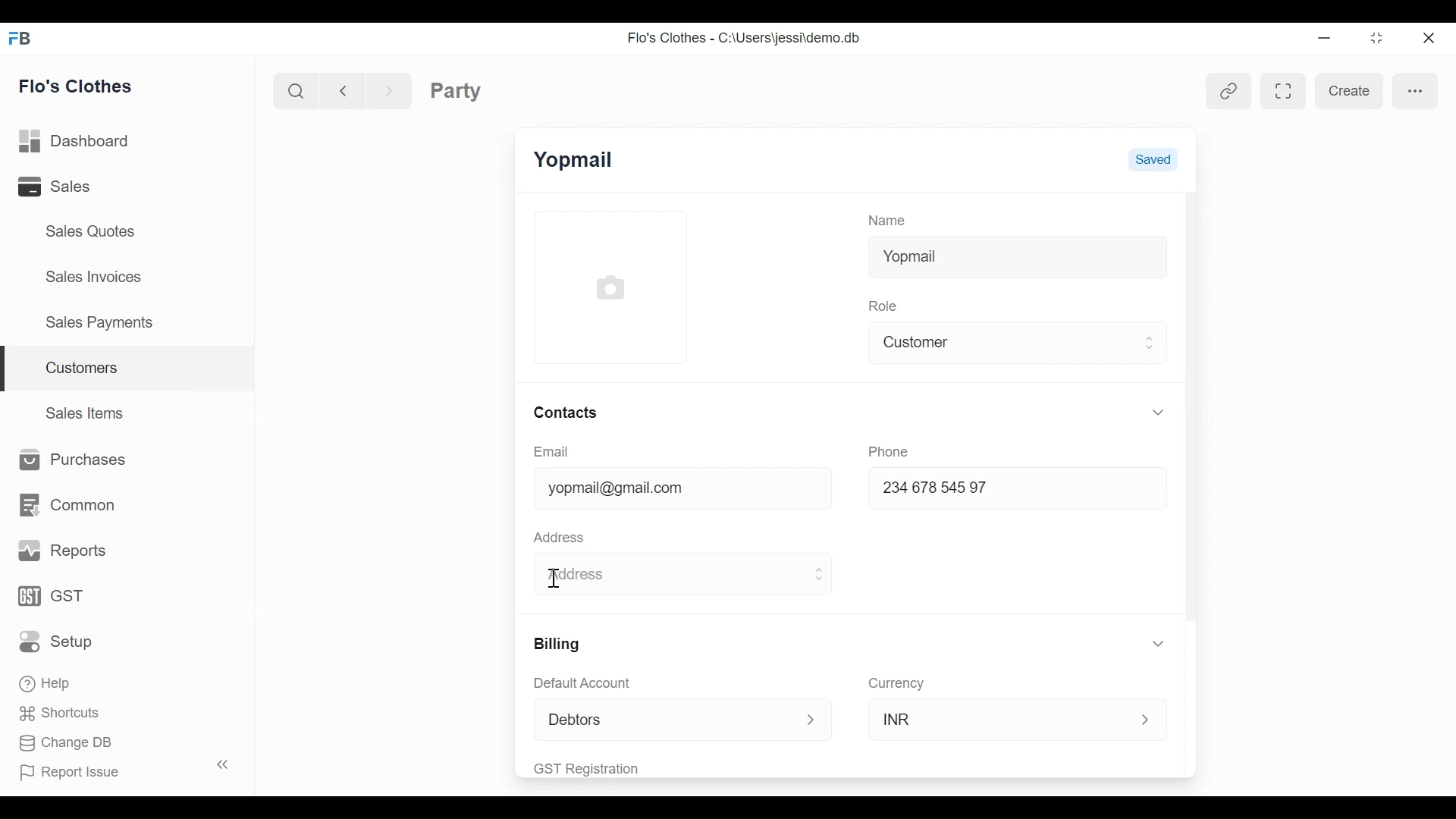 The height and width of the screenshot is (819, 1456). I want to click on Customer, so click(1004, 343).